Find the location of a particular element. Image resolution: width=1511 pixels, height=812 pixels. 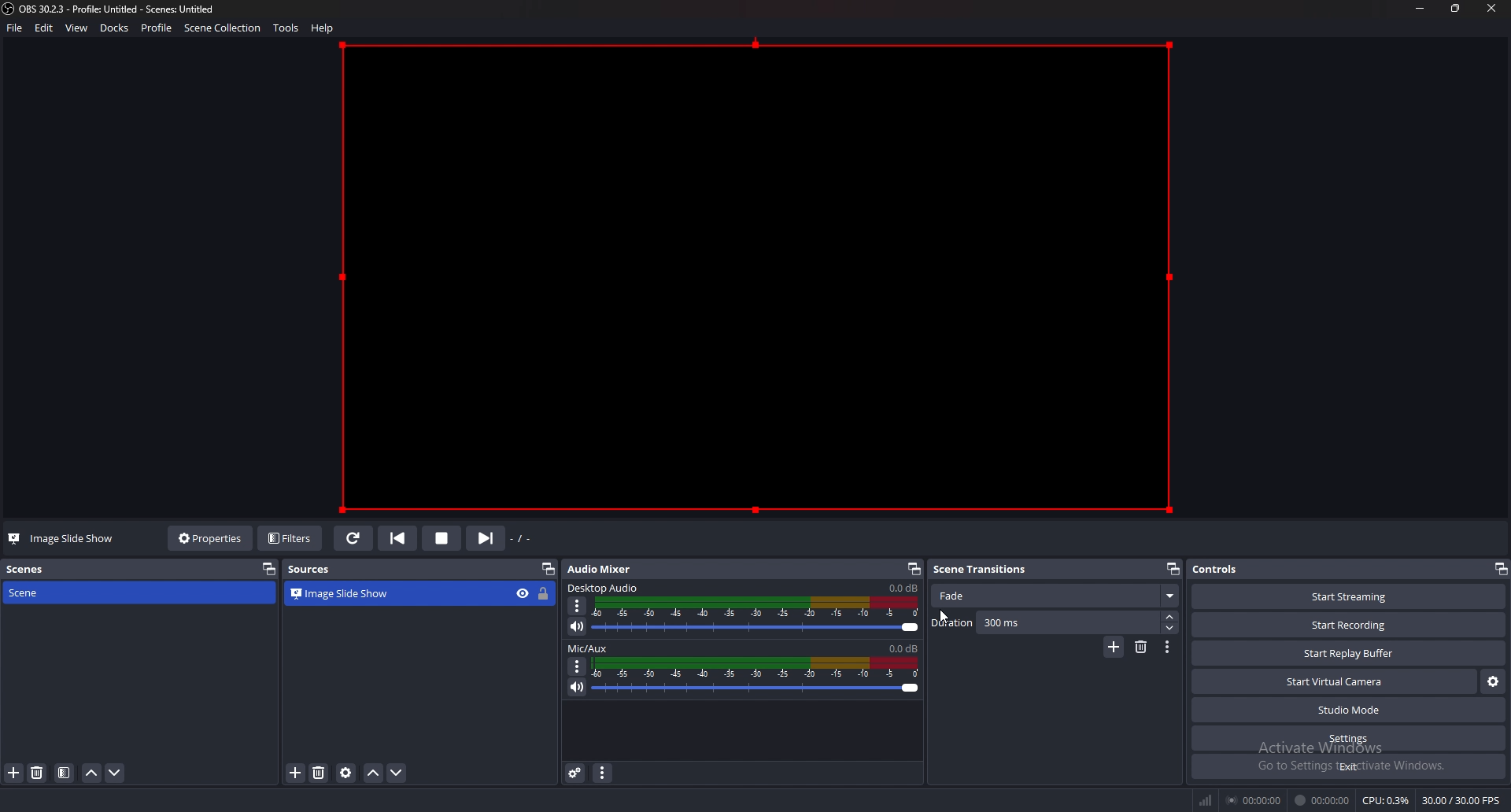

recording time is located at coordinates (1323, 799).